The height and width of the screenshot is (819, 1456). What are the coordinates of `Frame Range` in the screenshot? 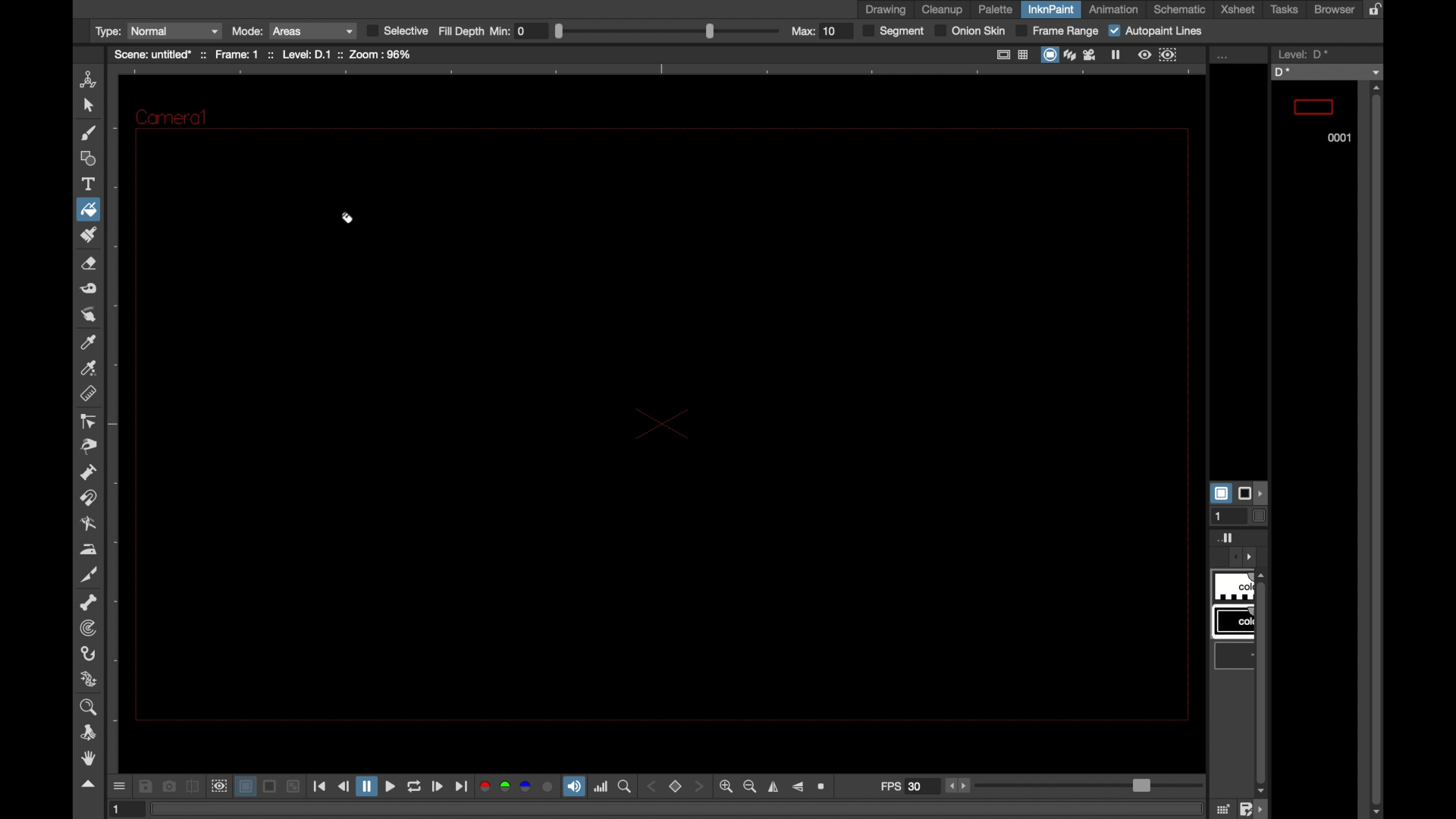 It's located at (1059, 32).